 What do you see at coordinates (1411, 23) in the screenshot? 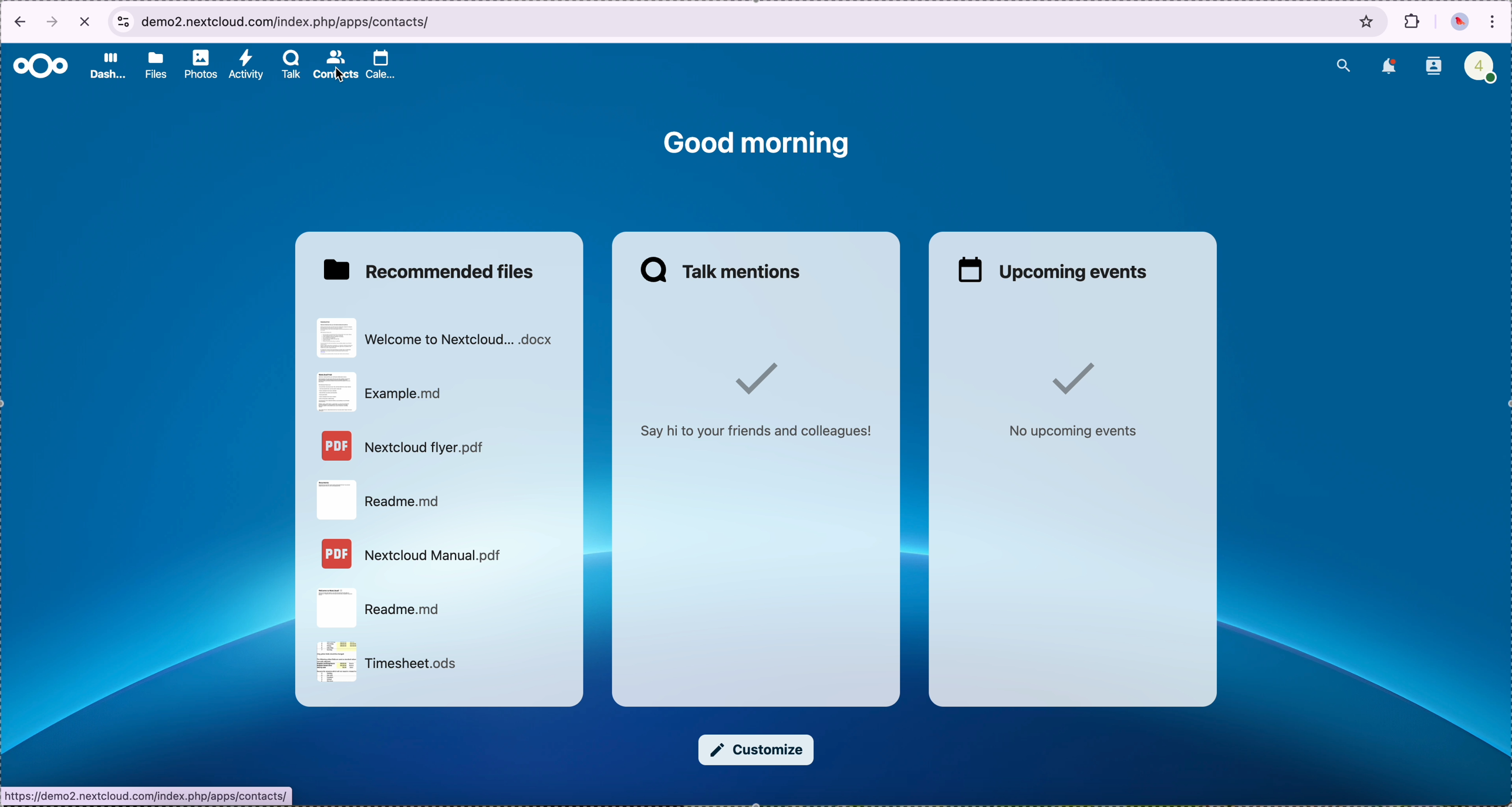
I see `extensions` at bounding box center [1411, 23].